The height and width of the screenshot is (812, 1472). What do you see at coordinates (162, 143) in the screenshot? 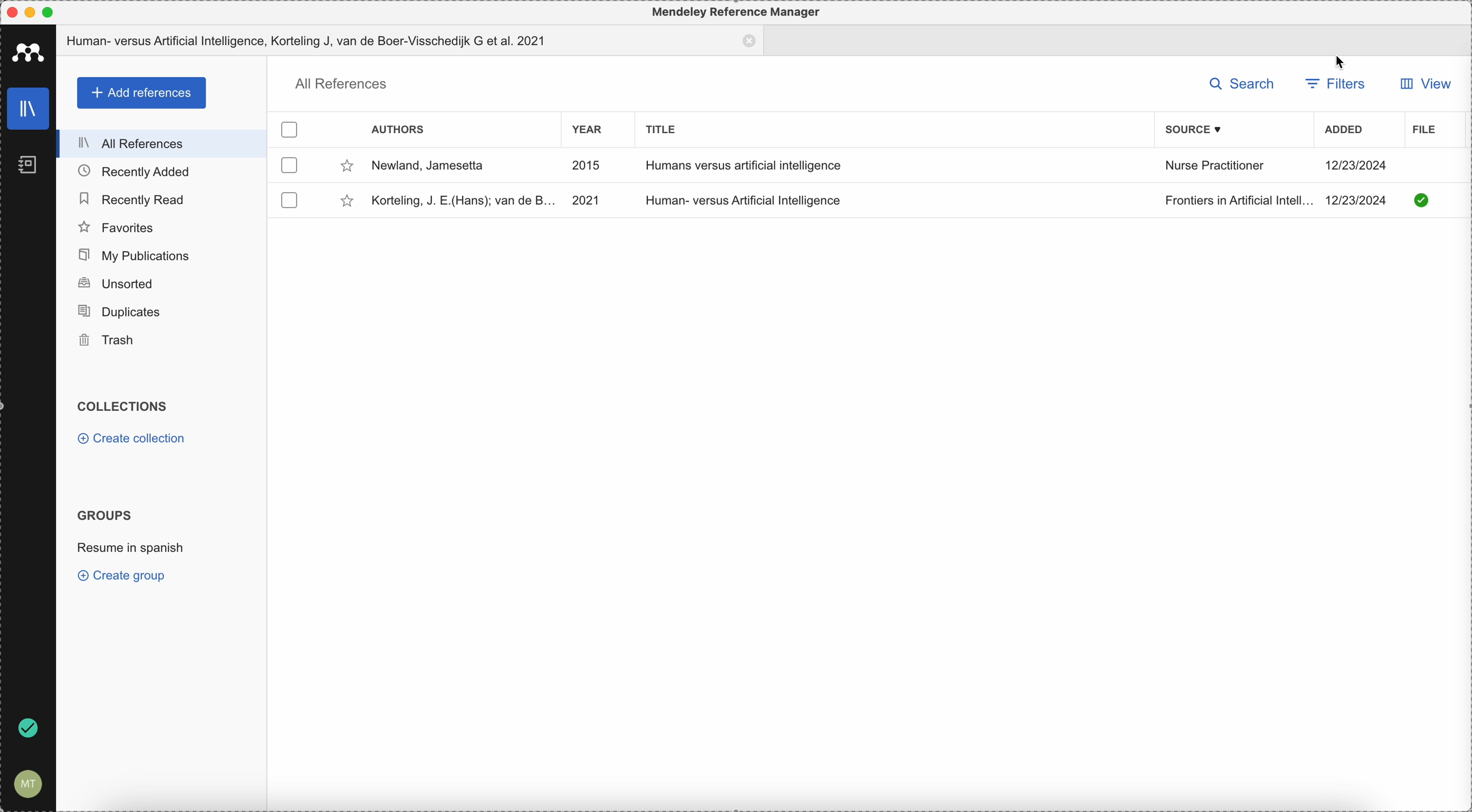
I see `all references` at bounding box center [162, 143].